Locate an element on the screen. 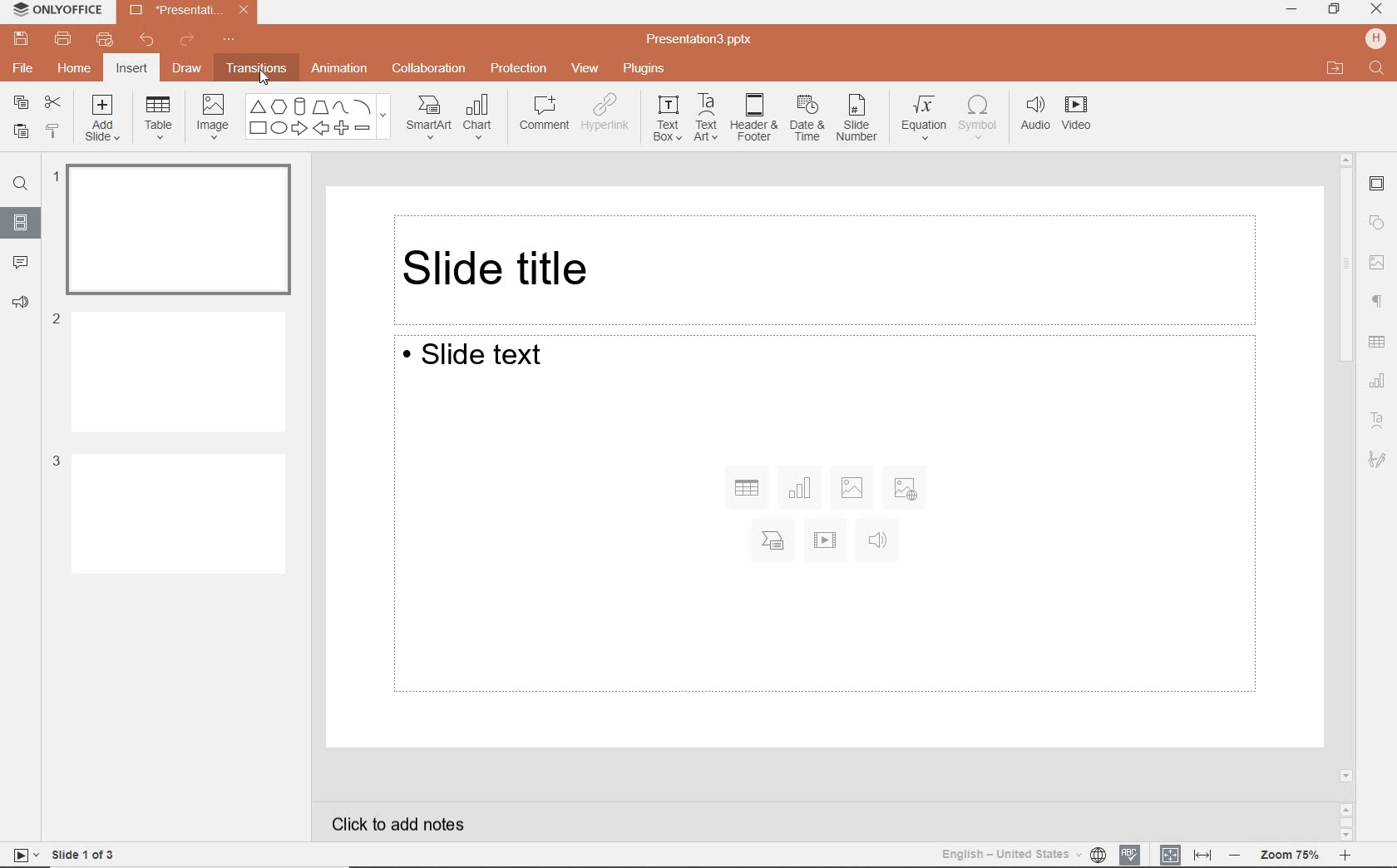  save is located at coordinates (20, 39).